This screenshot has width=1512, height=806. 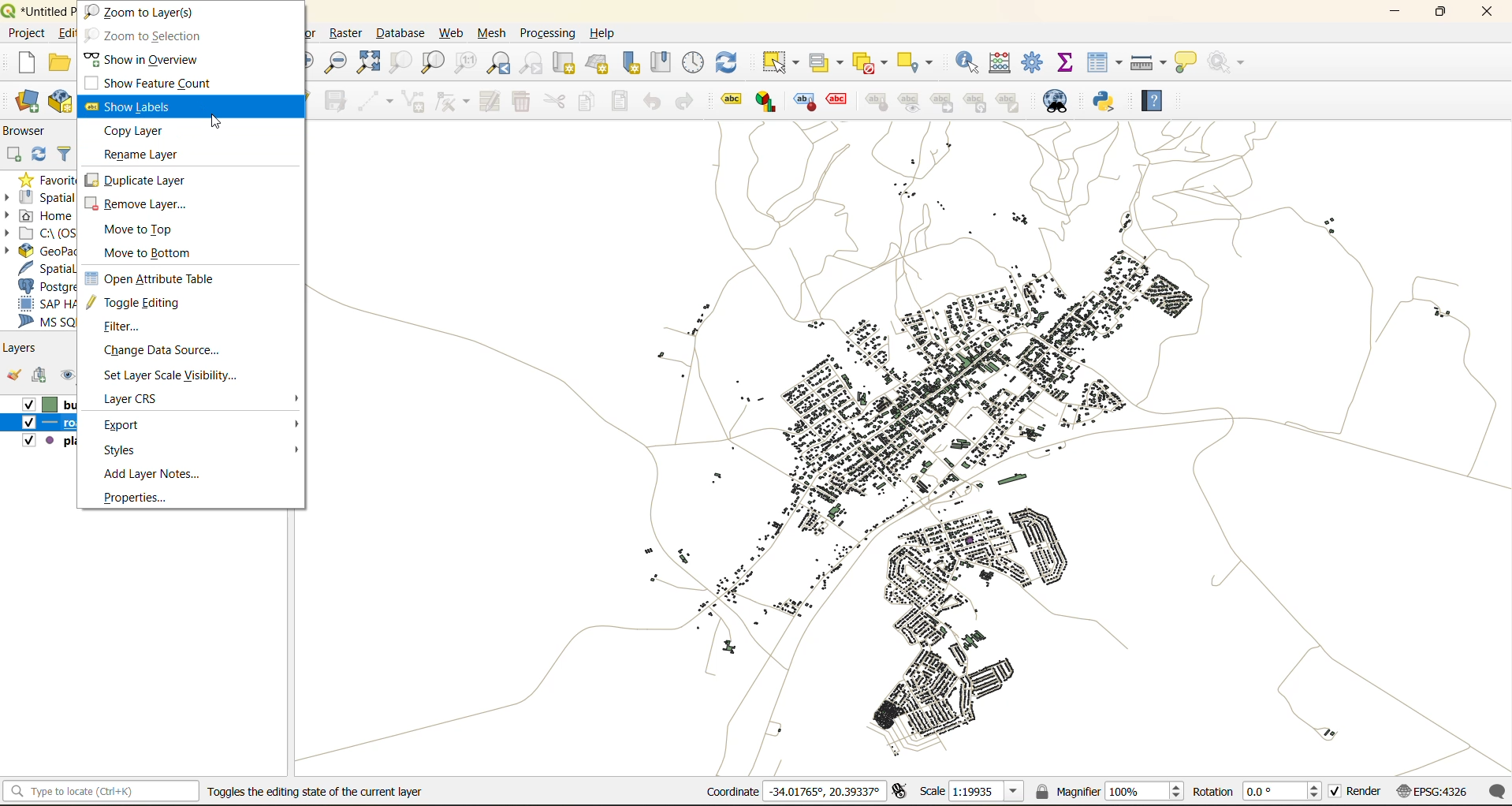 What do you see at coordinates (792, 791) in the screenshot?
I see `coordinates` at bounding box center [792, 791].